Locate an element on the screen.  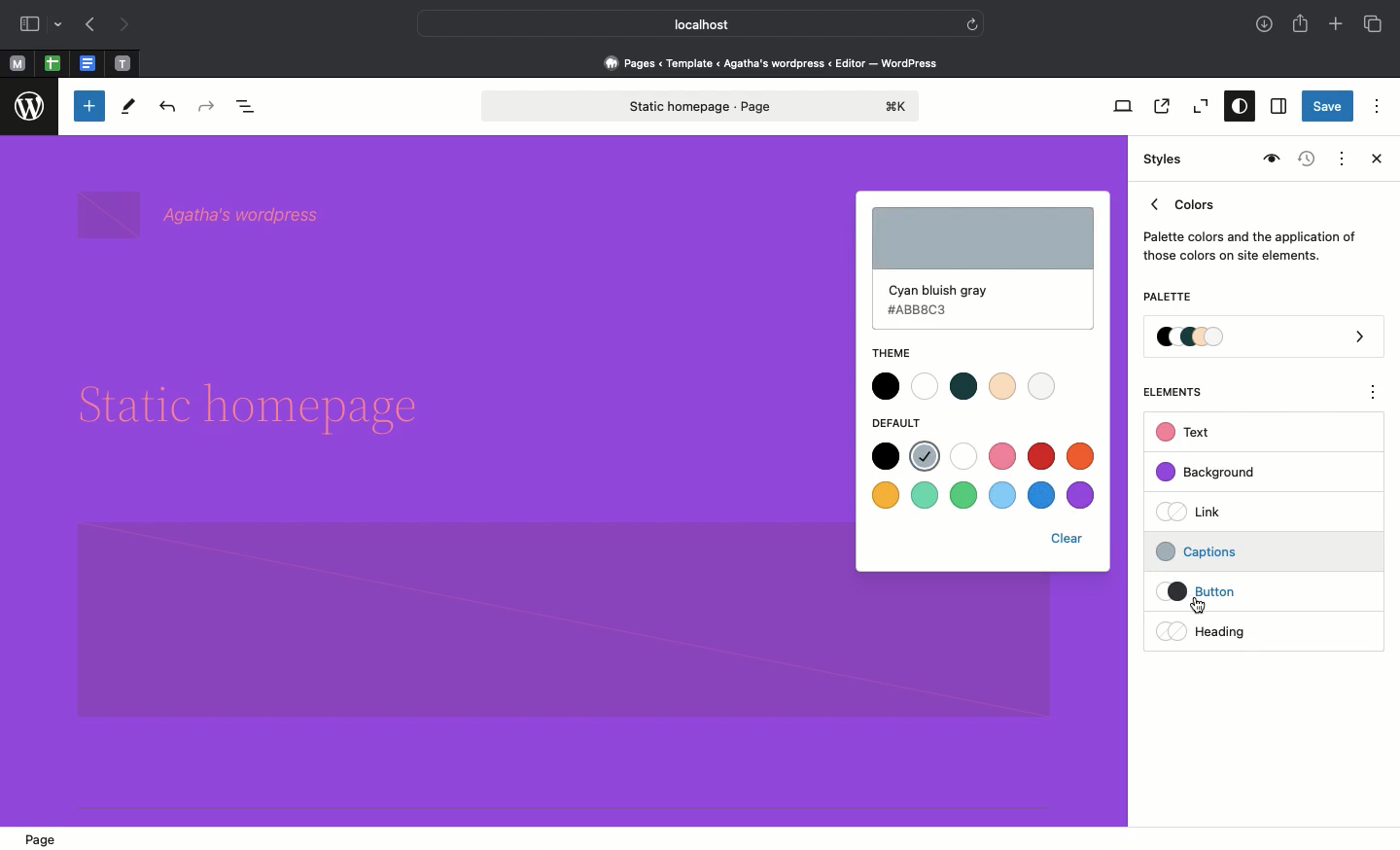
cursor is located at coordinates (1200, 606).